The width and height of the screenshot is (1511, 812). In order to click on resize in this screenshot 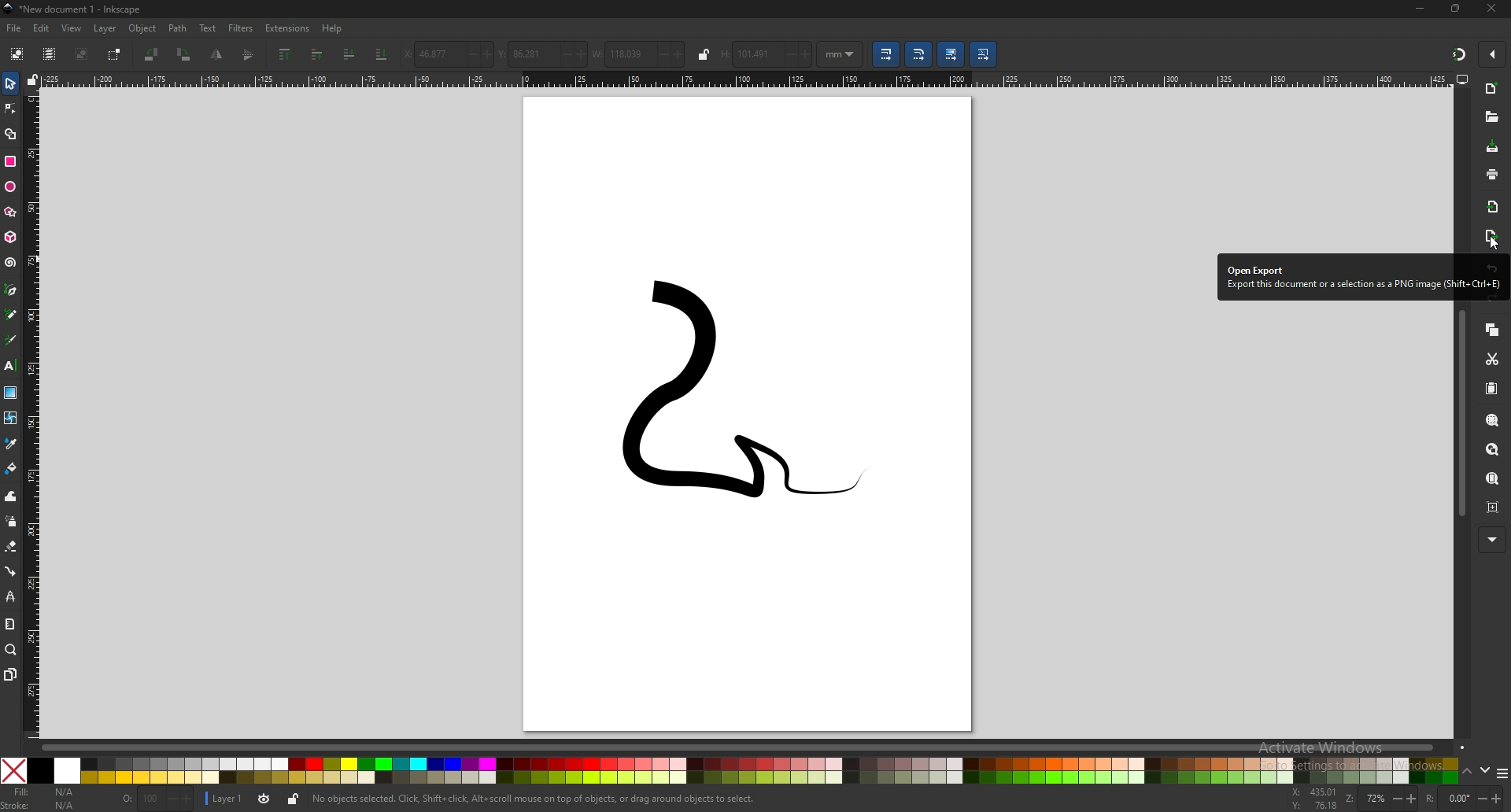, I will do `click(1456, 9)`.